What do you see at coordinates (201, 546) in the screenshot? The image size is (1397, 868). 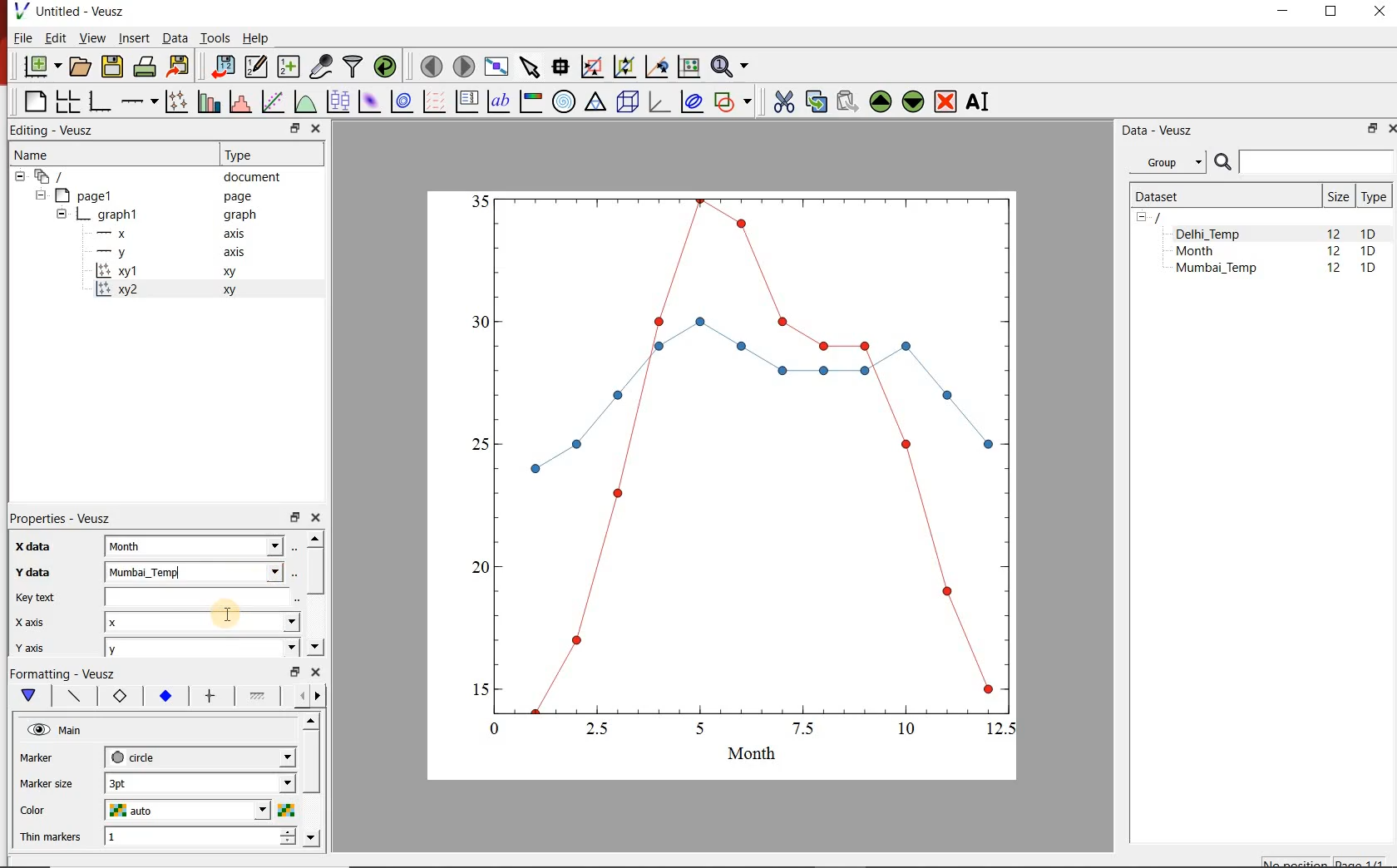 I see `Month` at bounding box center [201, 546].